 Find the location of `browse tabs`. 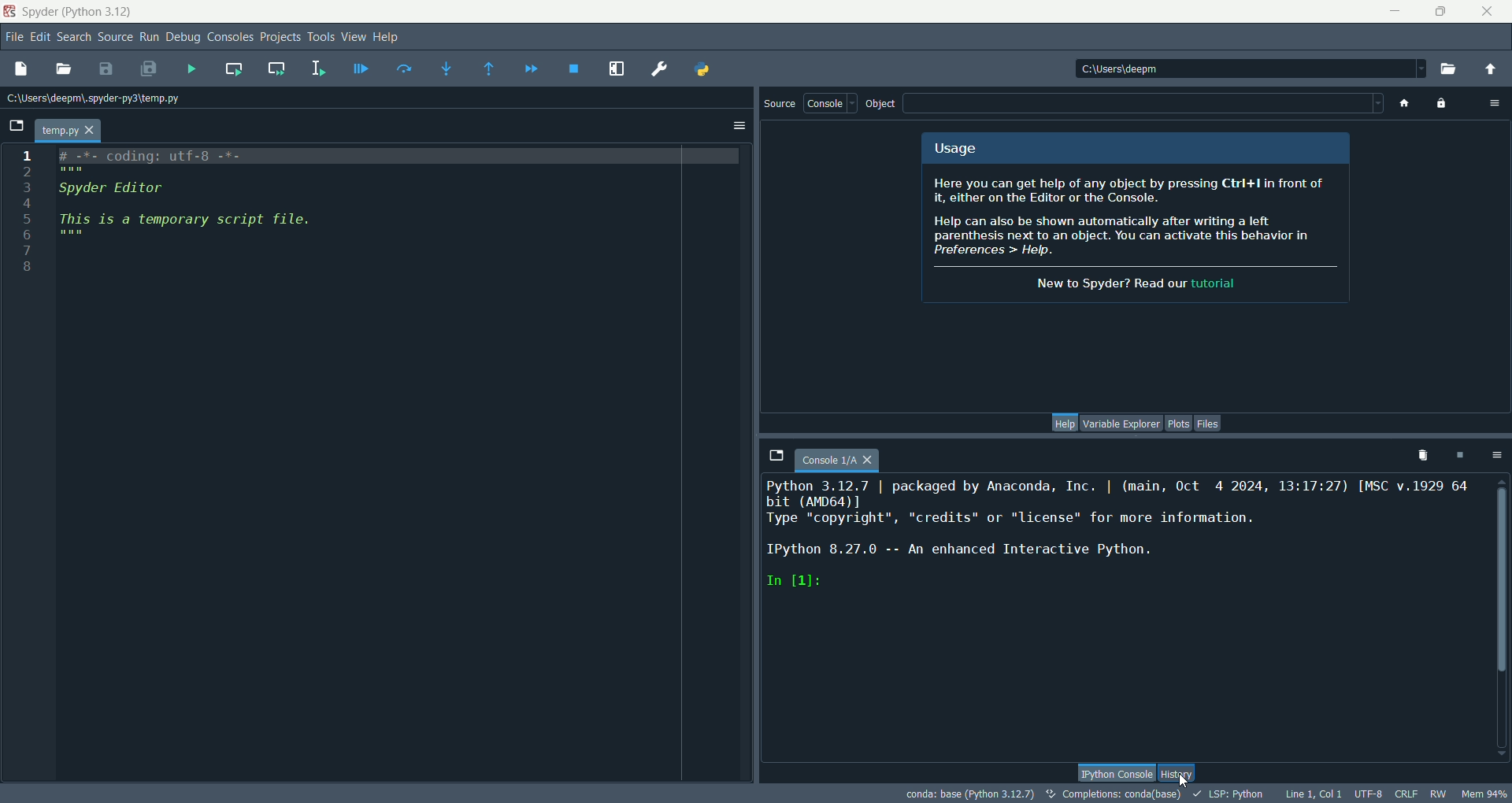

browse tabs is located at coordinates (776, 453).